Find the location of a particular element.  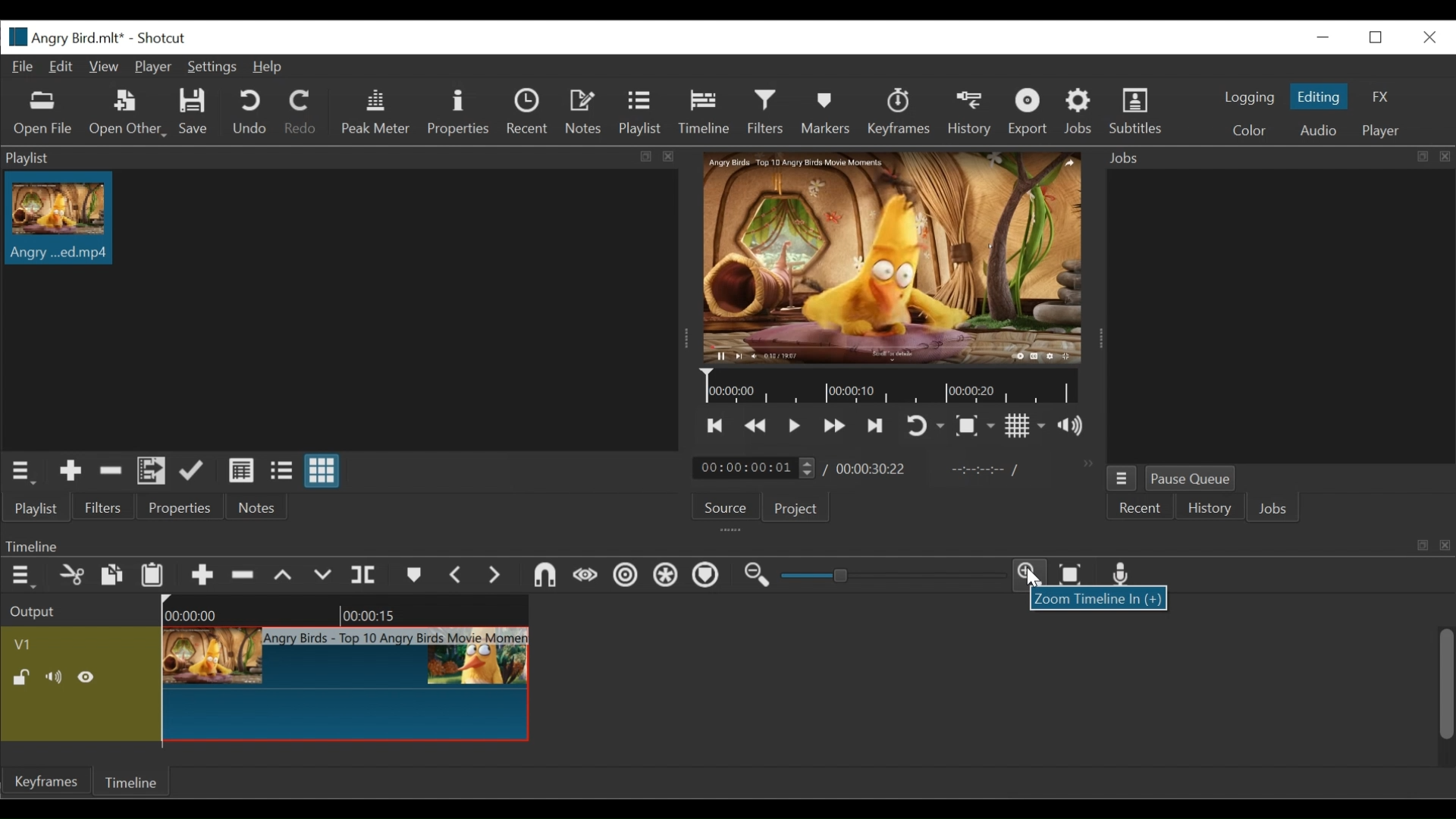

Toggle play or pause is located at coordinates (795, 428).